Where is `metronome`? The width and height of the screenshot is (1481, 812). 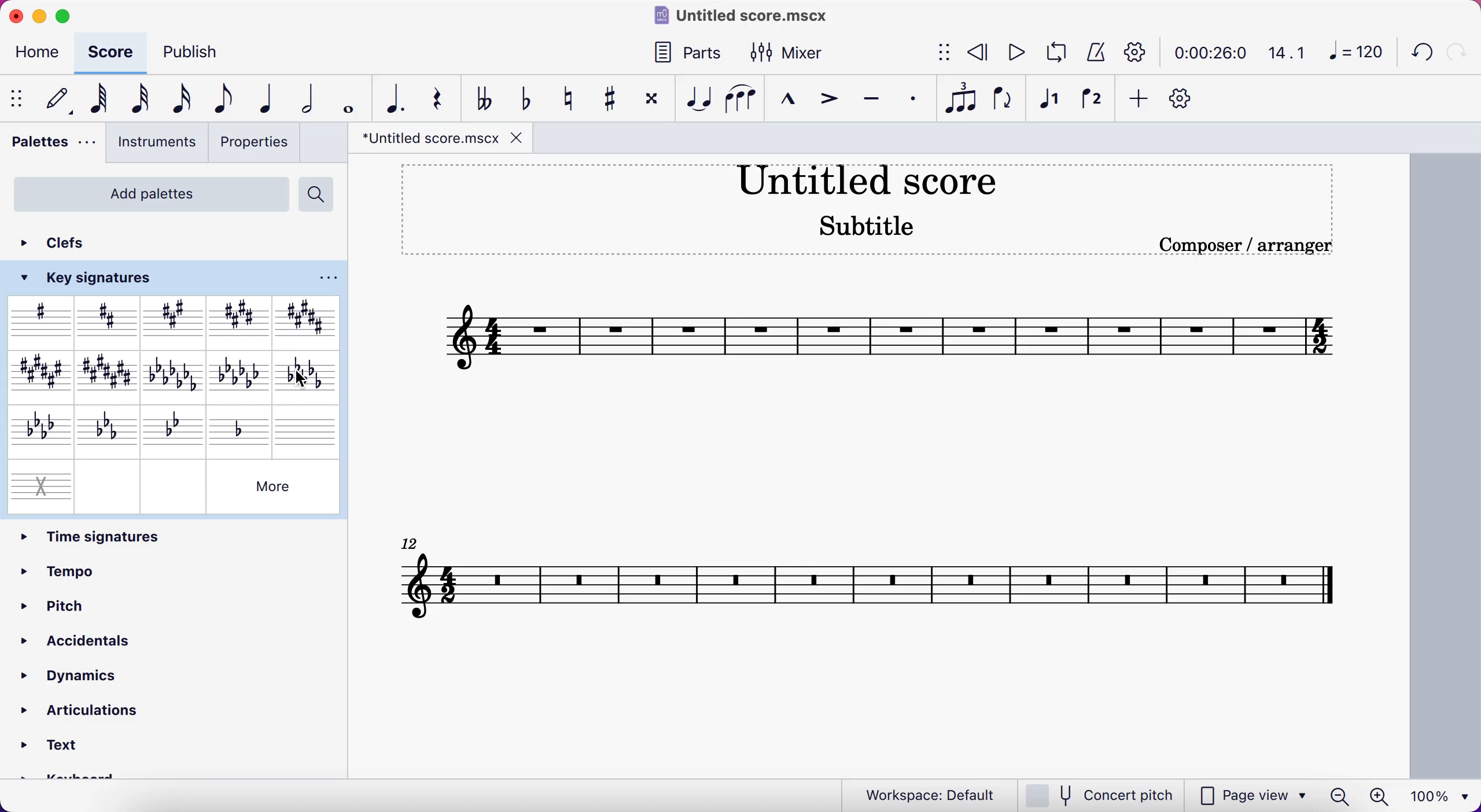 metronome is located at coordinates (1094, 53).